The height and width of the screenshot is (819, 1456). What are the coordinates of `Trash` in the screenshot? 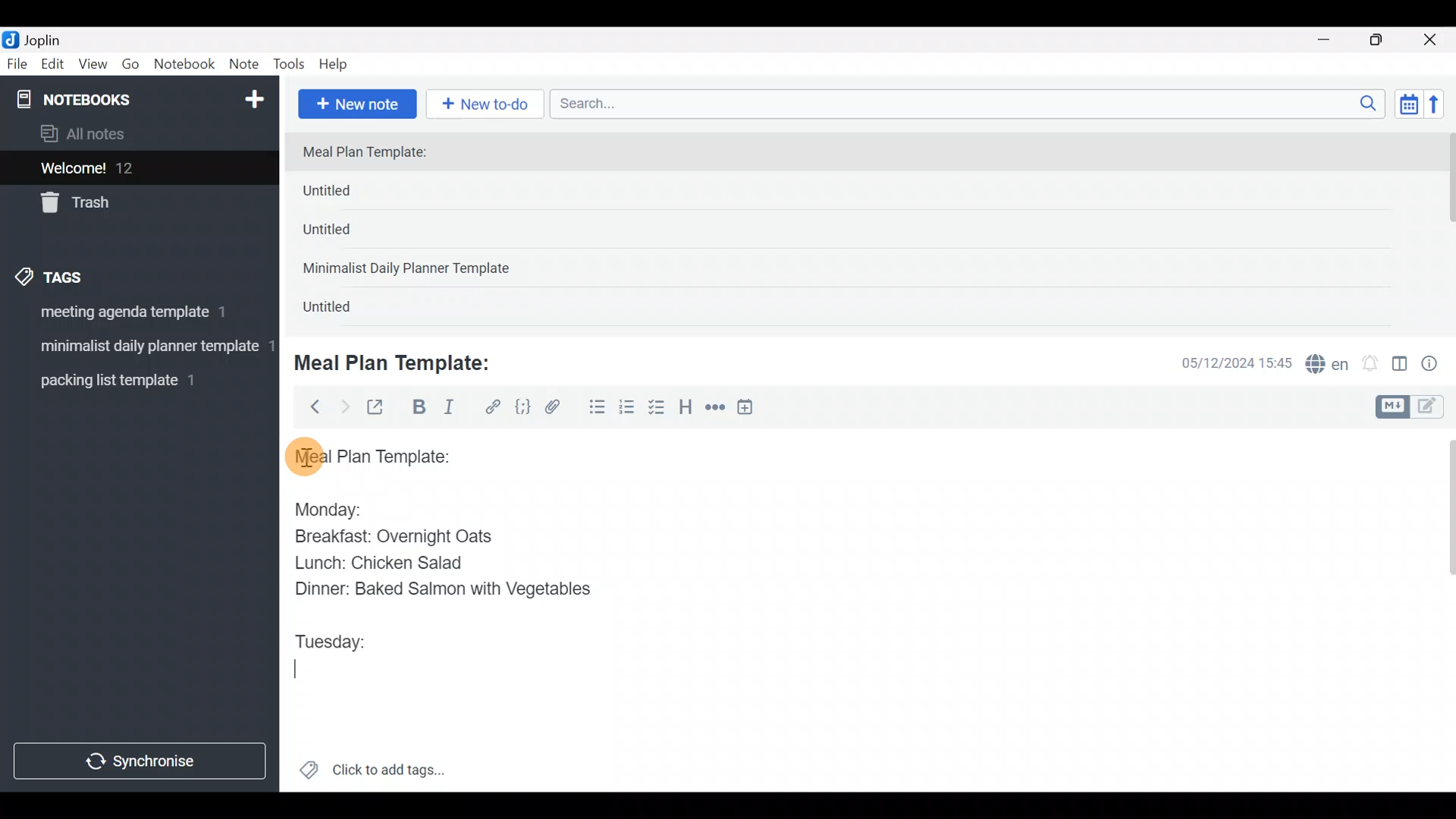 It's located at (130, 204).